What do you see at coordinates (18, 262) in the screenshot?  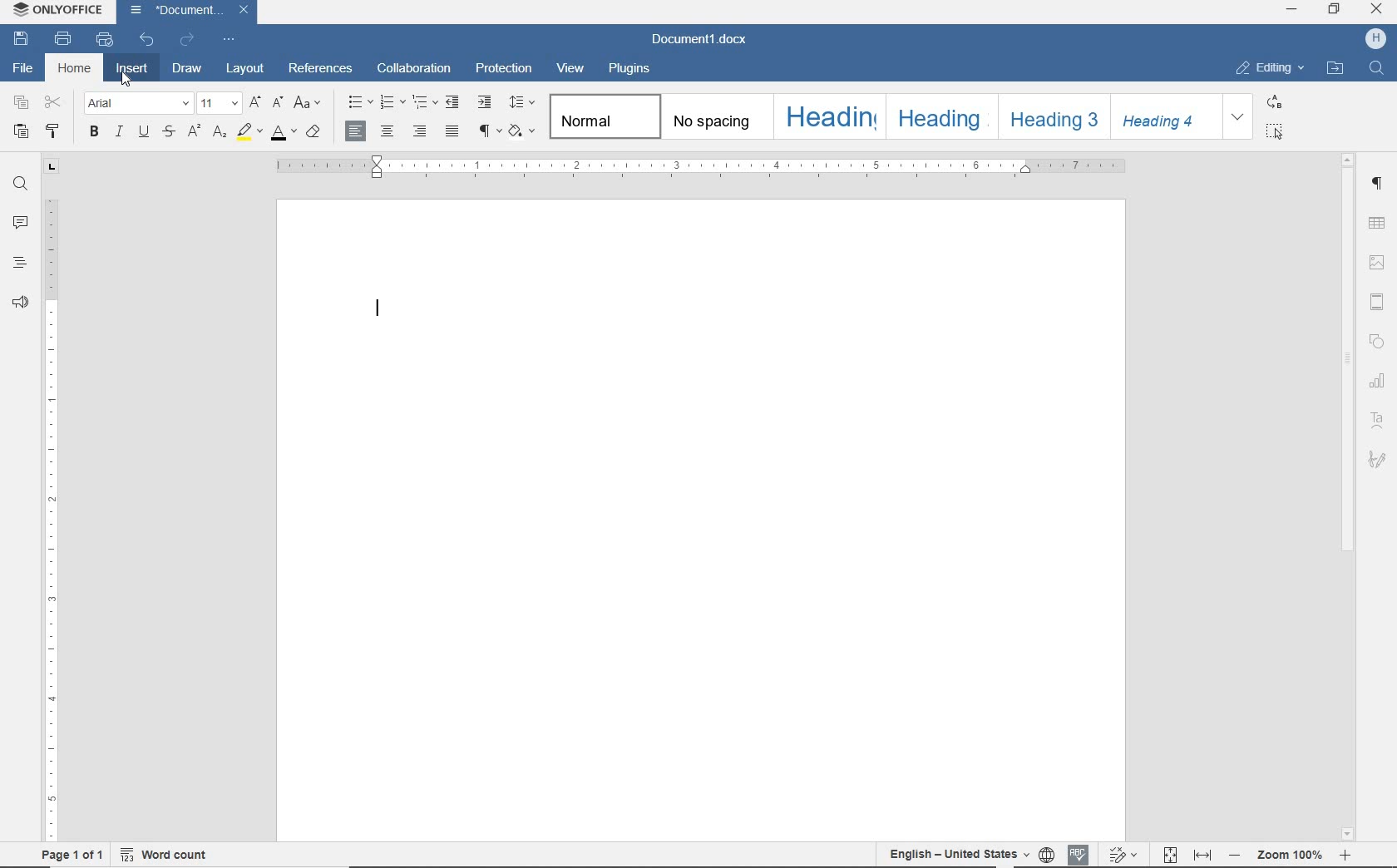 I see `headings` at bounding box center [18, 262].